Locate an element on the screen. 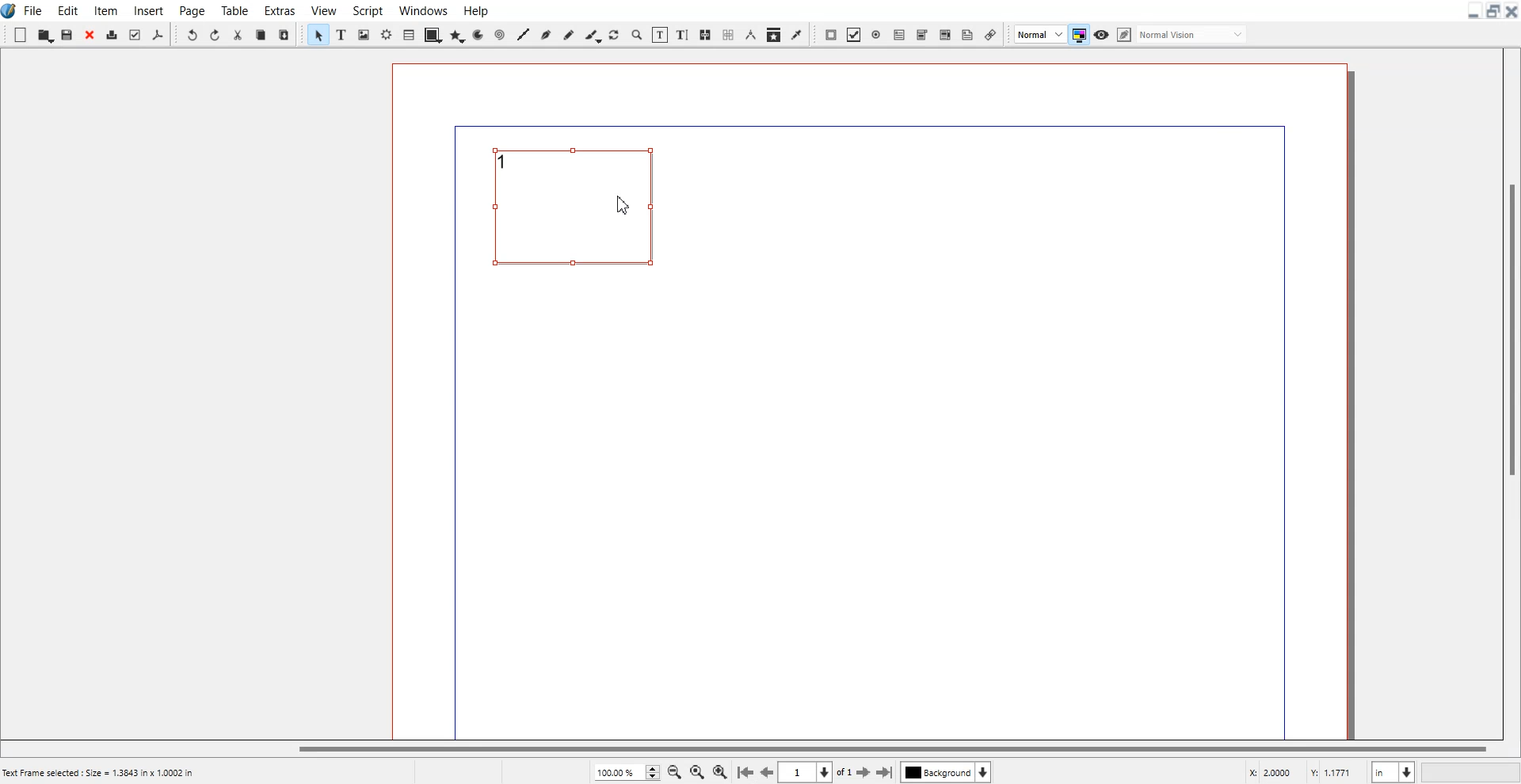 Image resolution: width=1521 pixels, height=784 pixels. Spiral is located at coordinates (498, 34).